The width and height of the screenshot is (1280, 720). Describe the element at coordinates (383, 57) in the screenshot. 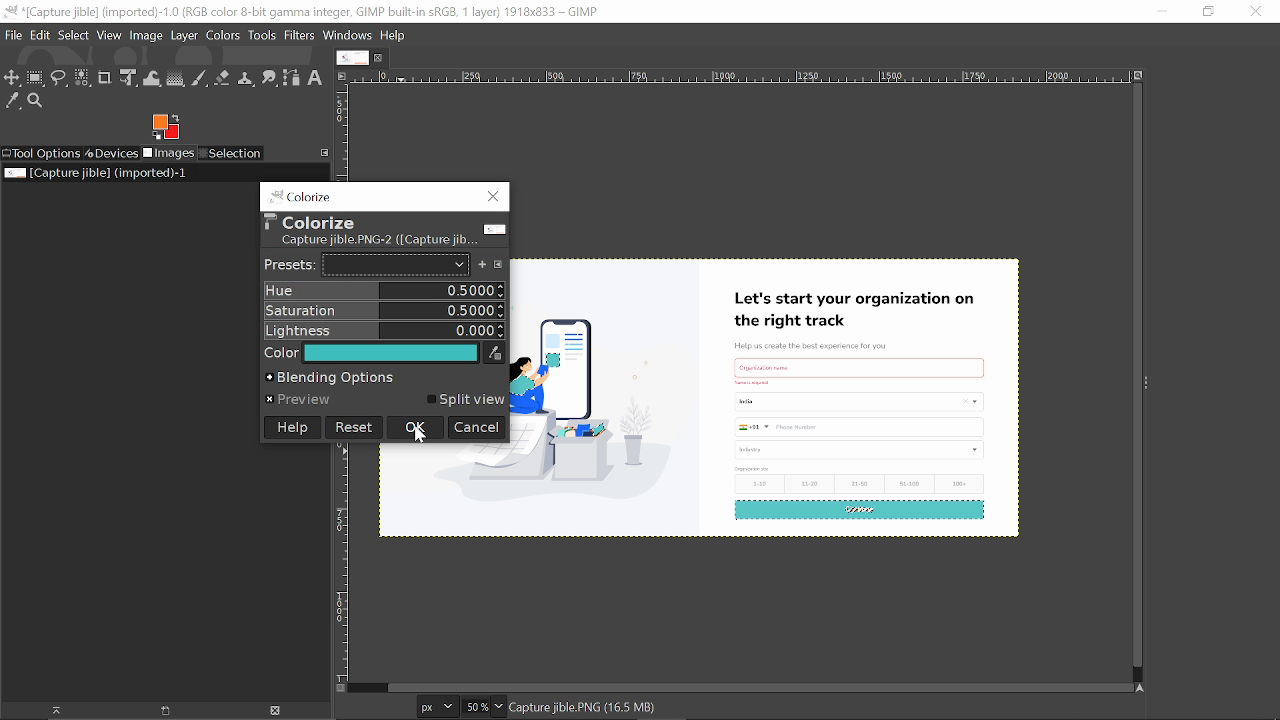

I see `Close current tab` at that location.